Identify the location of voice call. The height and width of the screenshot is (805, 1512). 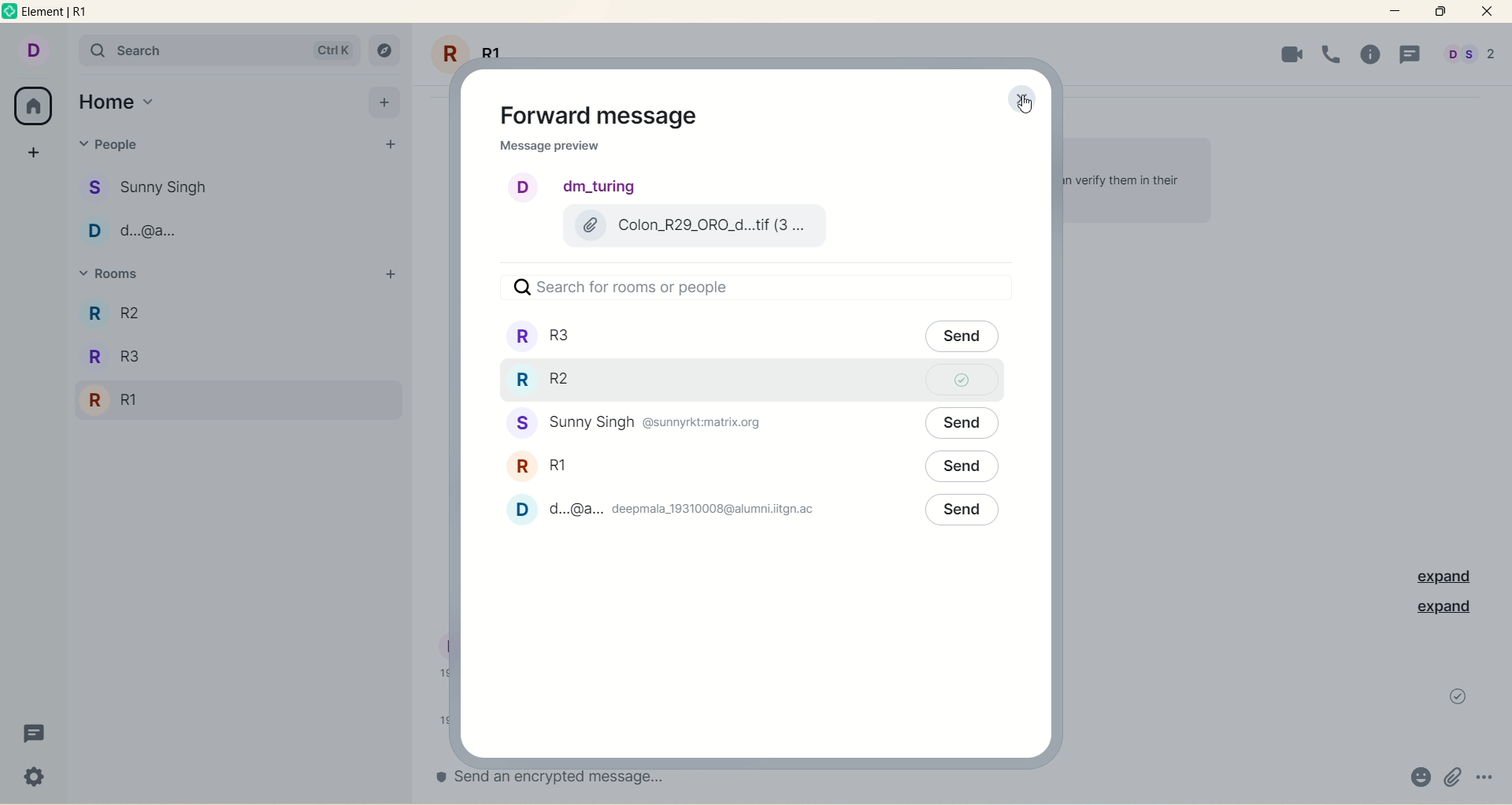
(1333, 53).